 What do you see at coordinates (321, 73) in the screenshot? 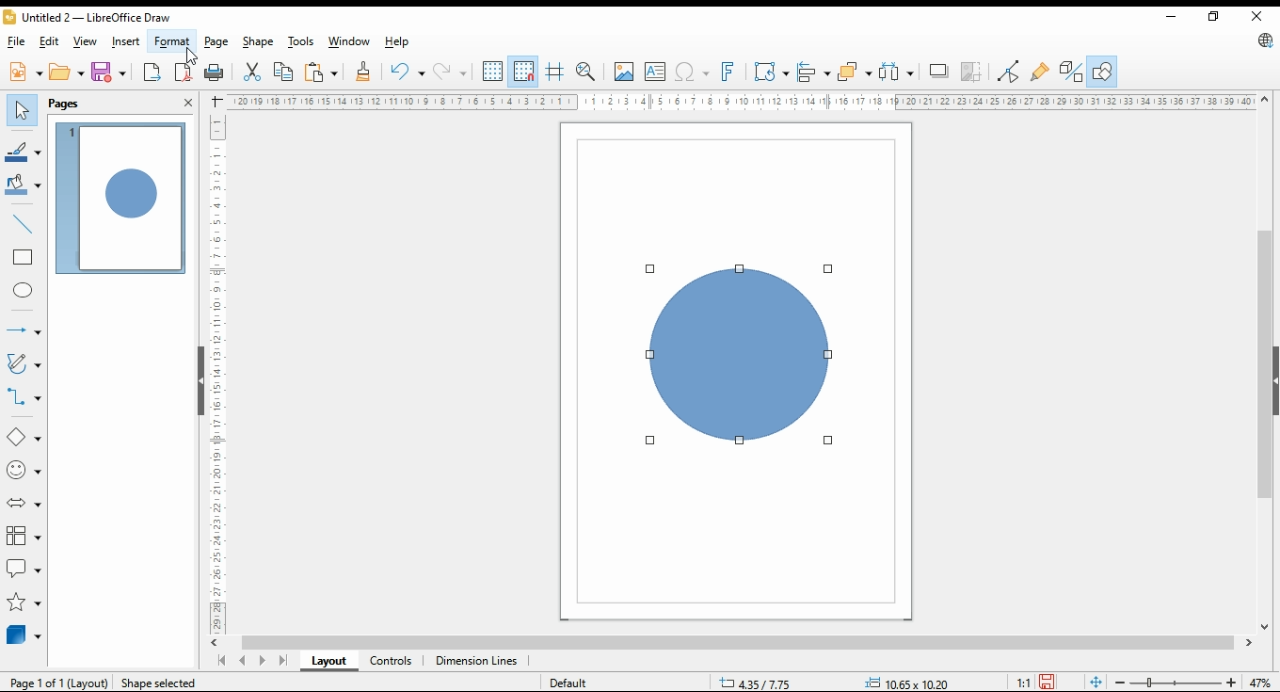
I see `paste` at bounding box center [321, 73].